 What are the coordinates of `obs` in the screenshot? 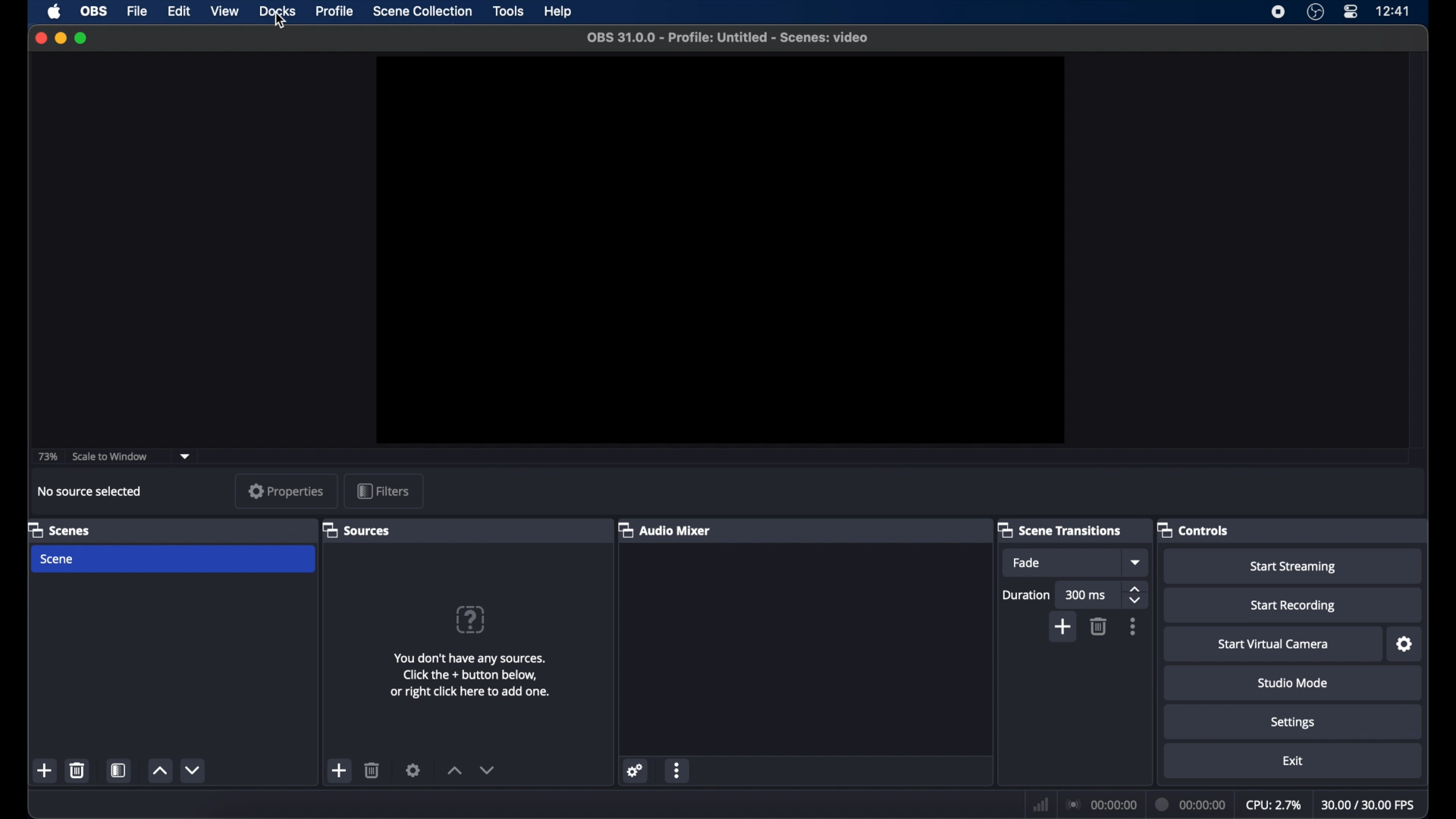 It's located at (95, 10).